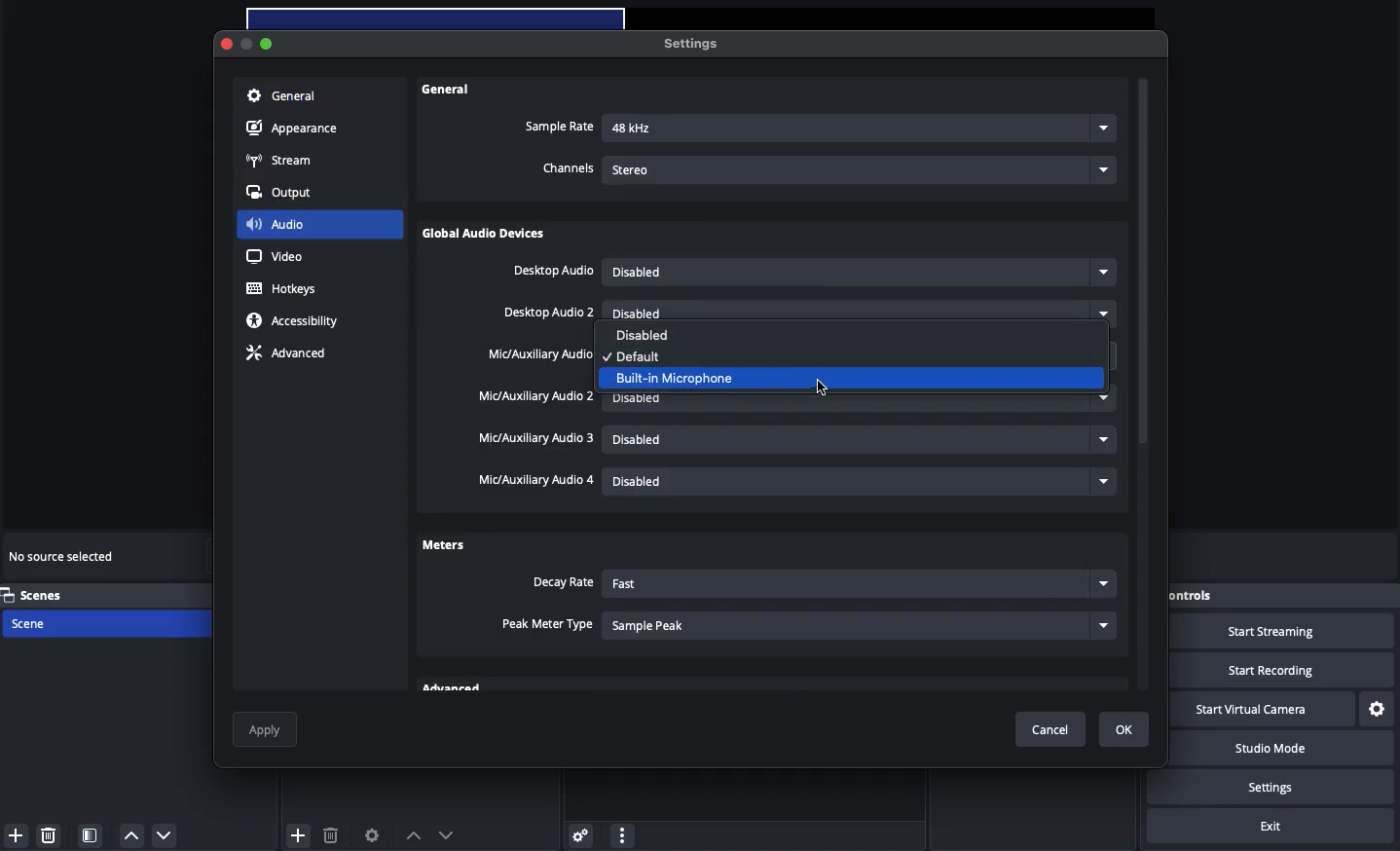 The height and width of the screenshot is (851, 1400). I want to click on Scroll, so click(1144, 387).